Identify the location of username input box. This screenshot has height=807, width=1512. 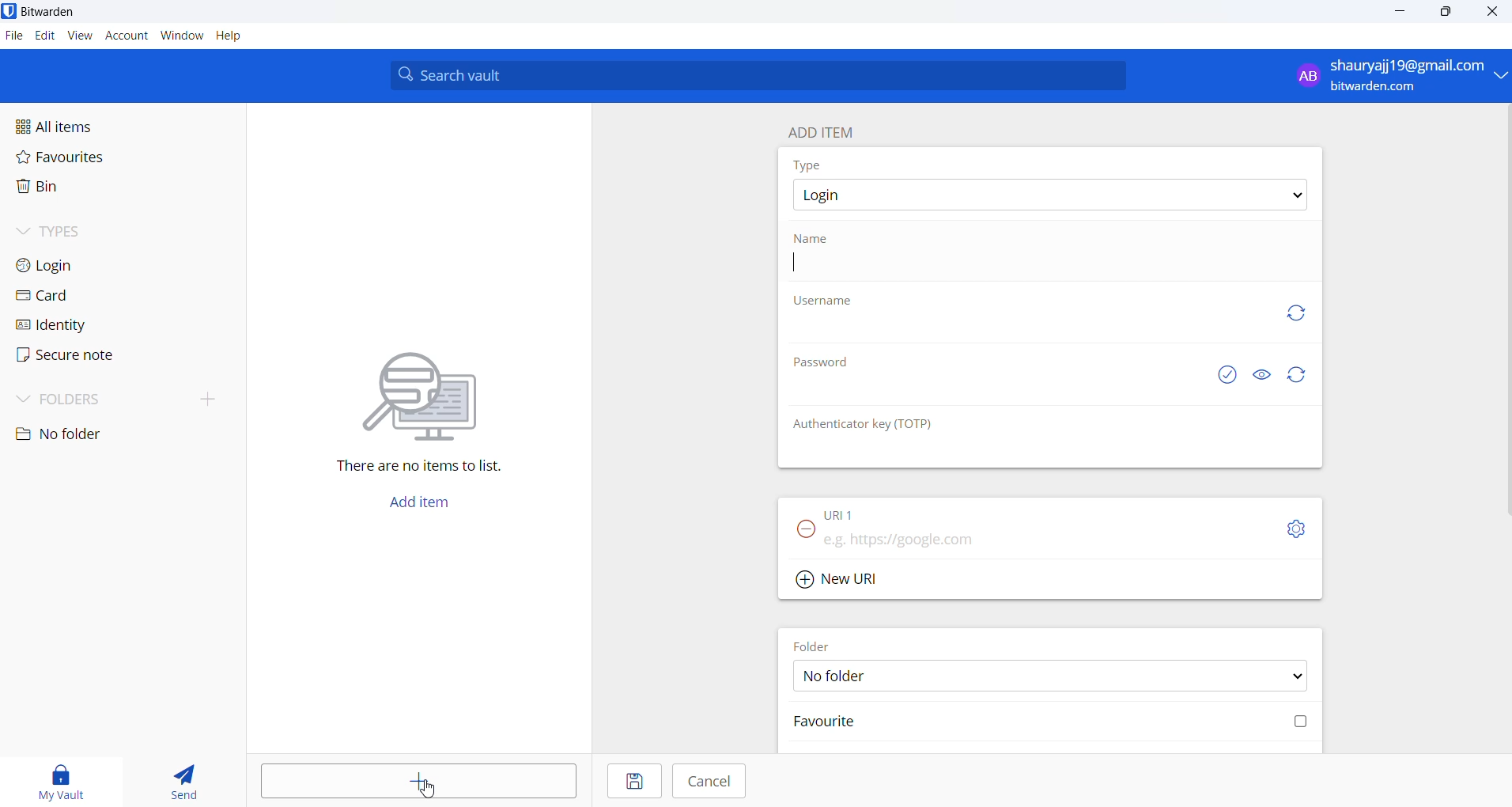
(1030, 332).